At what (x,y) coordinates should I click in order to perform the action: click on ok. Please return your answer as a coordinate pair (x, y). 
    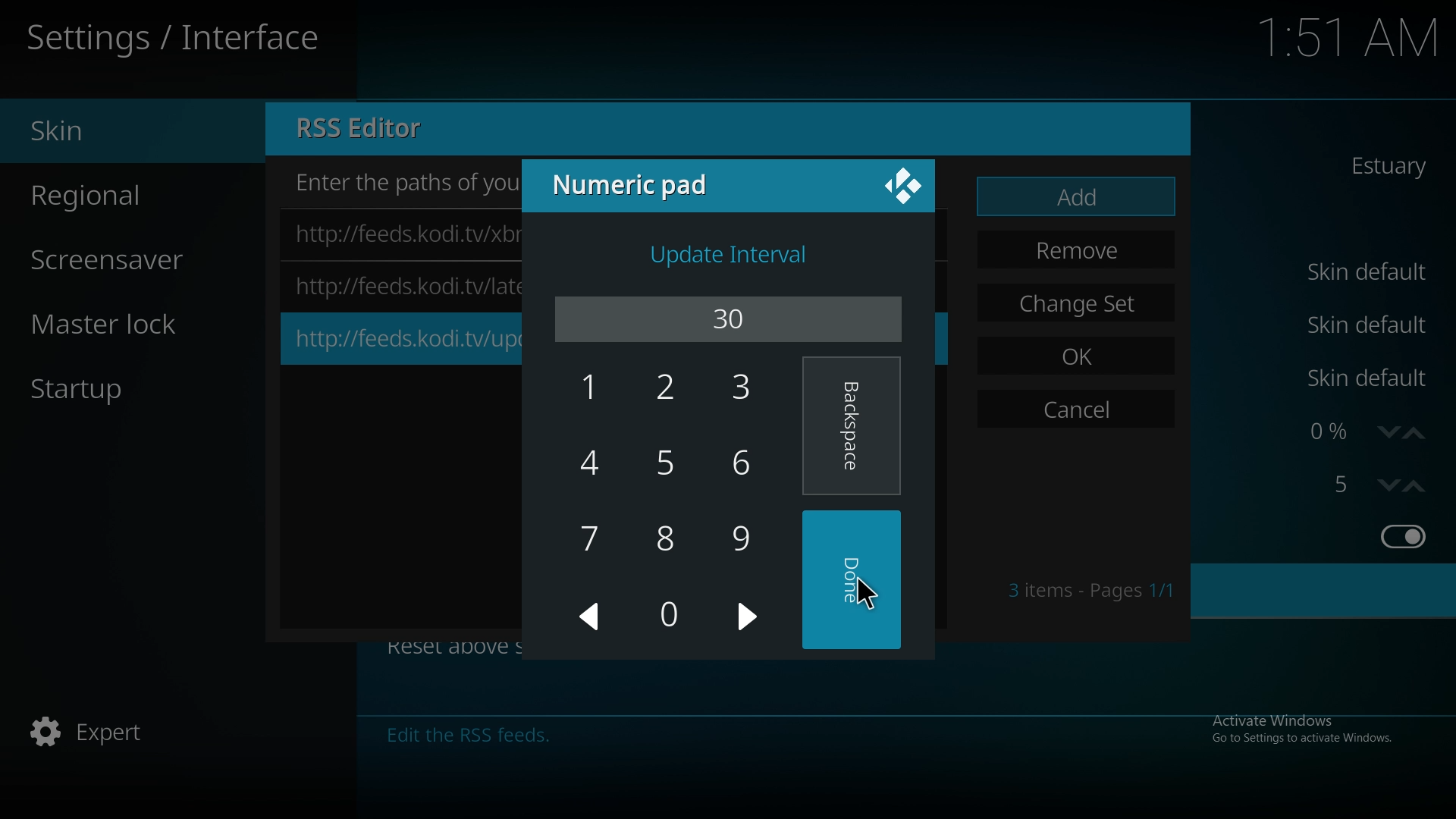
    Looking at the image, I should click on (1079, 352).